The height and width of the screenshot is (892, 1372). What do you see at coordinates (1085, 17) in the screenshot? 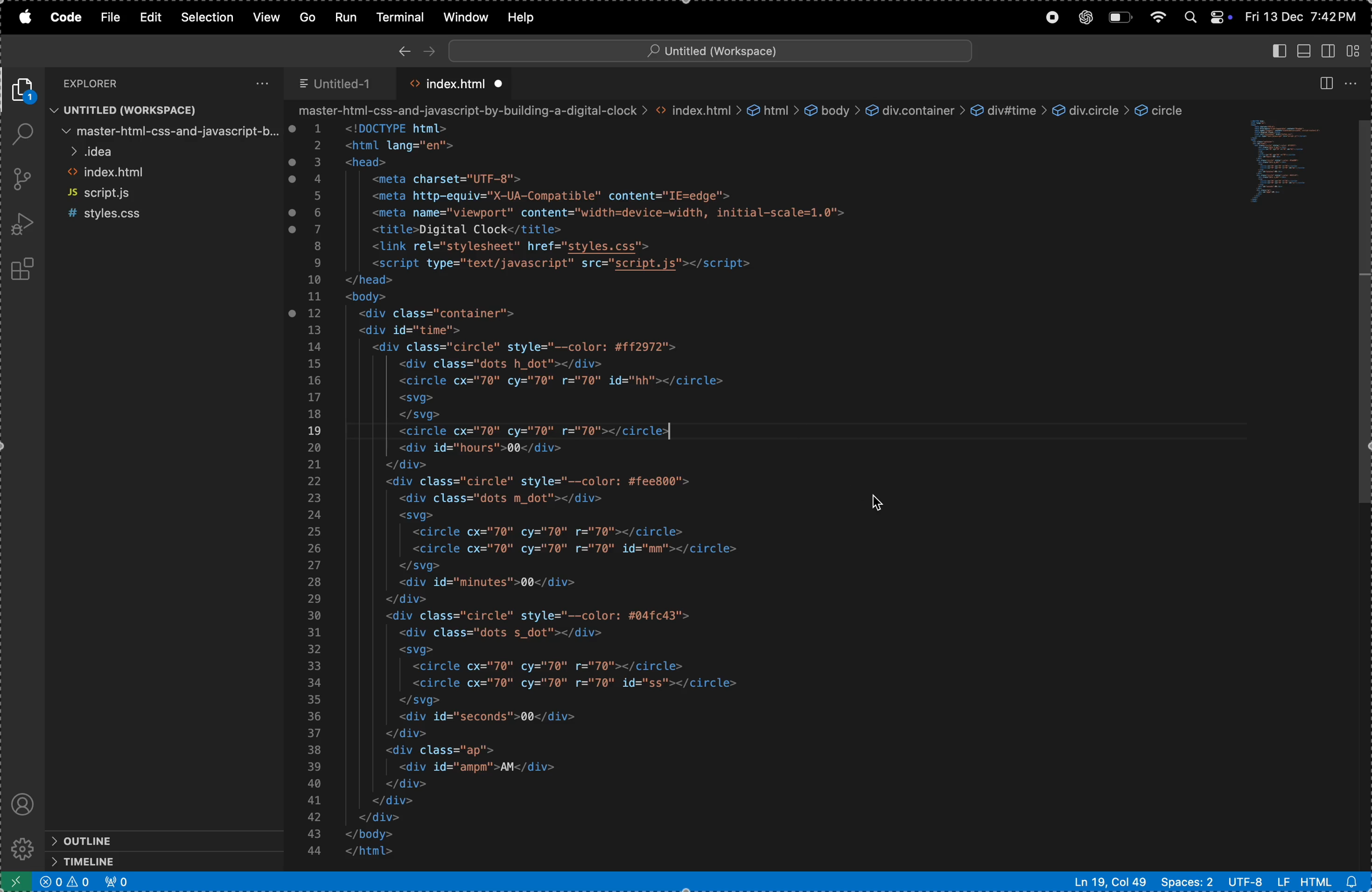
I see `chat gpt` at bounding box center [1085, 17].